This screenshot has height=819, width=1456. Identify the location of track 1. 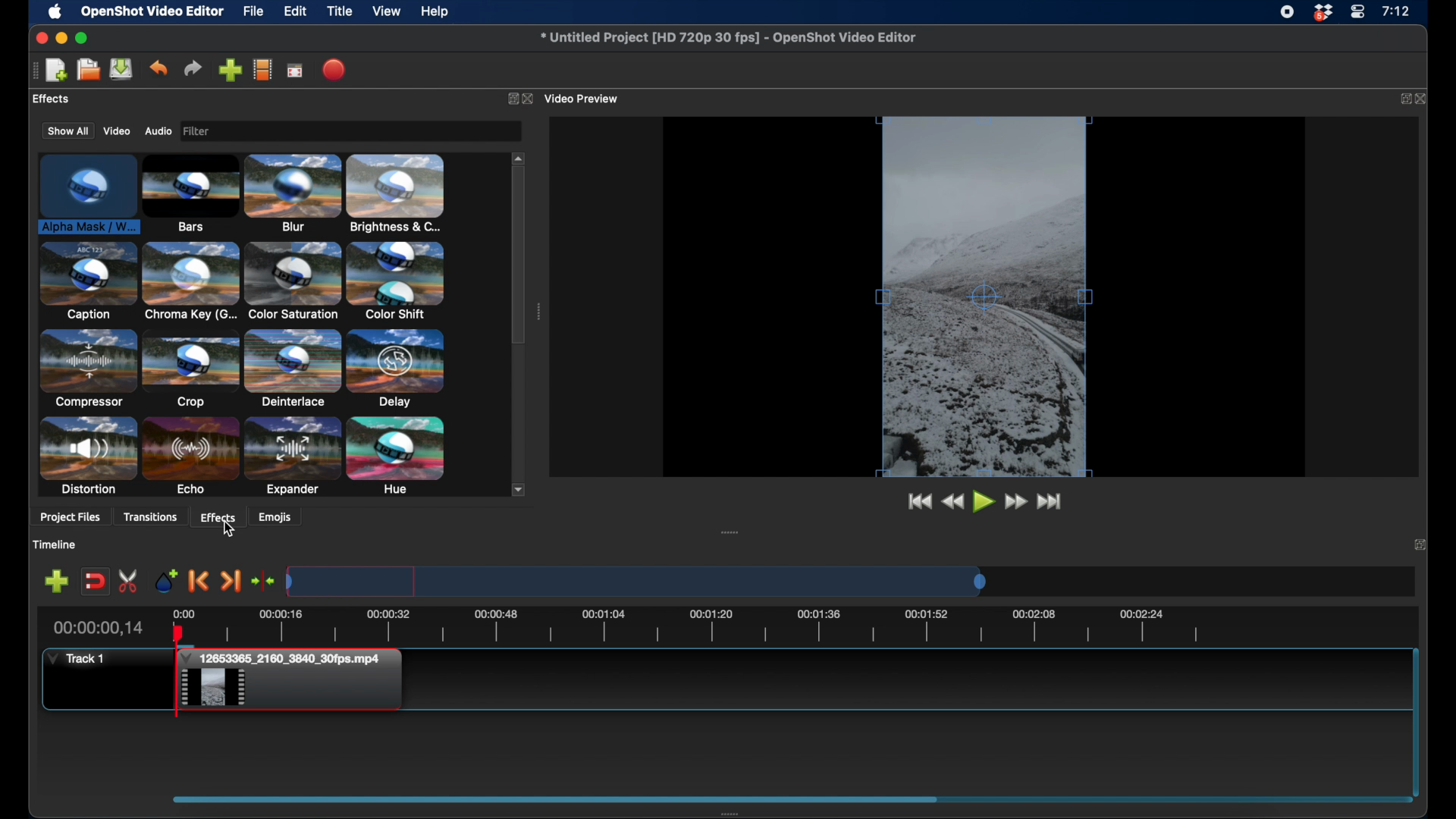
(77, 659).